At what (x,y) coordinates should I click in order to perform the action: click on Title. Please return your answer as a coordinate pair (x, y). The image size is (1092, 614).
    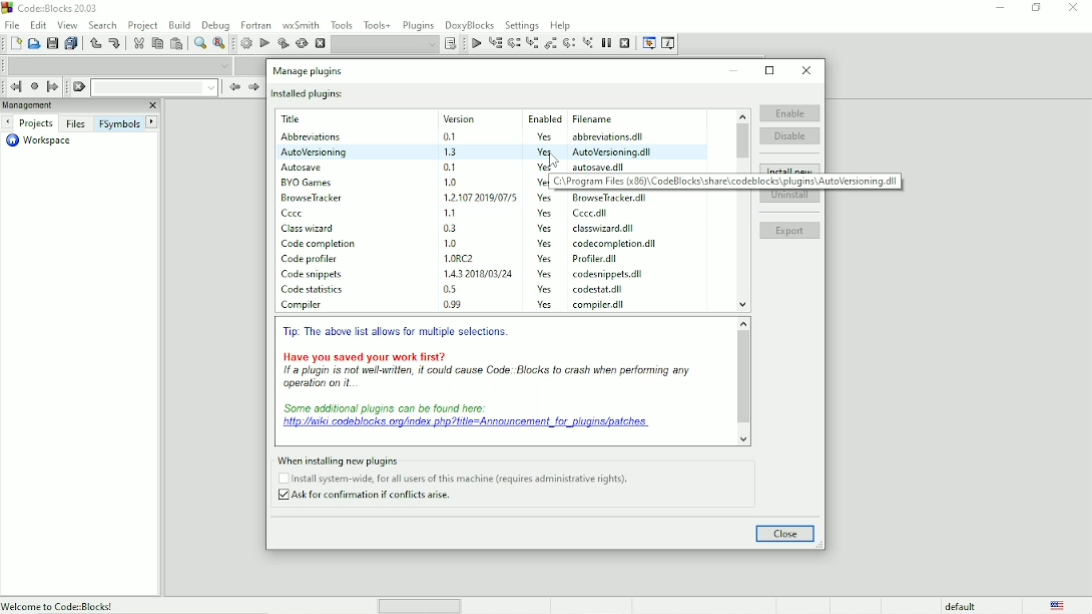
    Looking at the image, I should click on (295, 119).